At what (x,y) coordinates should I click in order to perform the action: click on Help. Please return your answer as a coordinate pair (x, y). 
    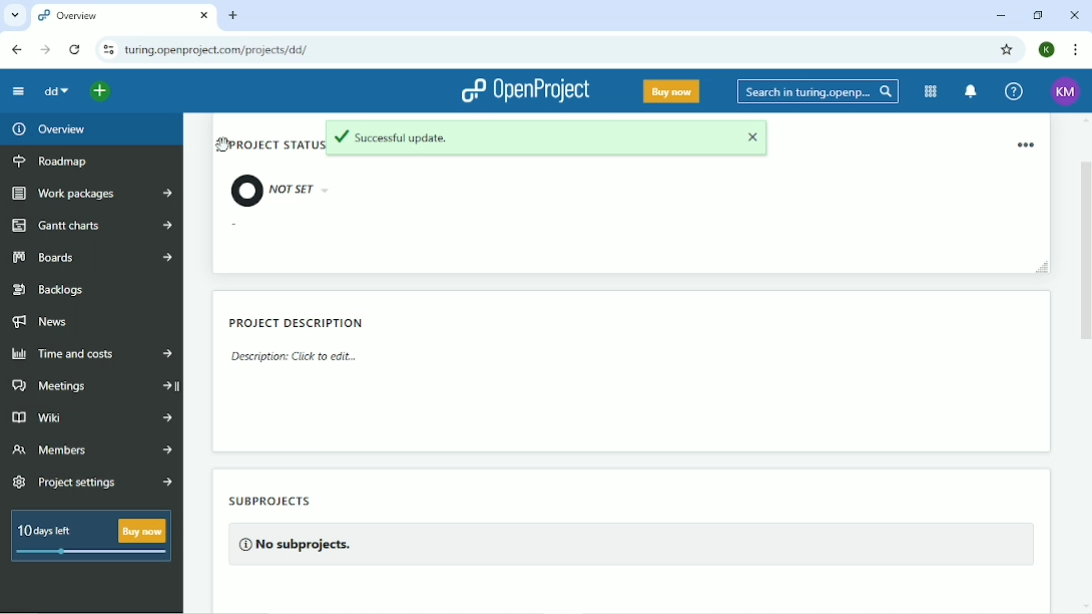
    Looking at the image, I should click on (1015, 92).